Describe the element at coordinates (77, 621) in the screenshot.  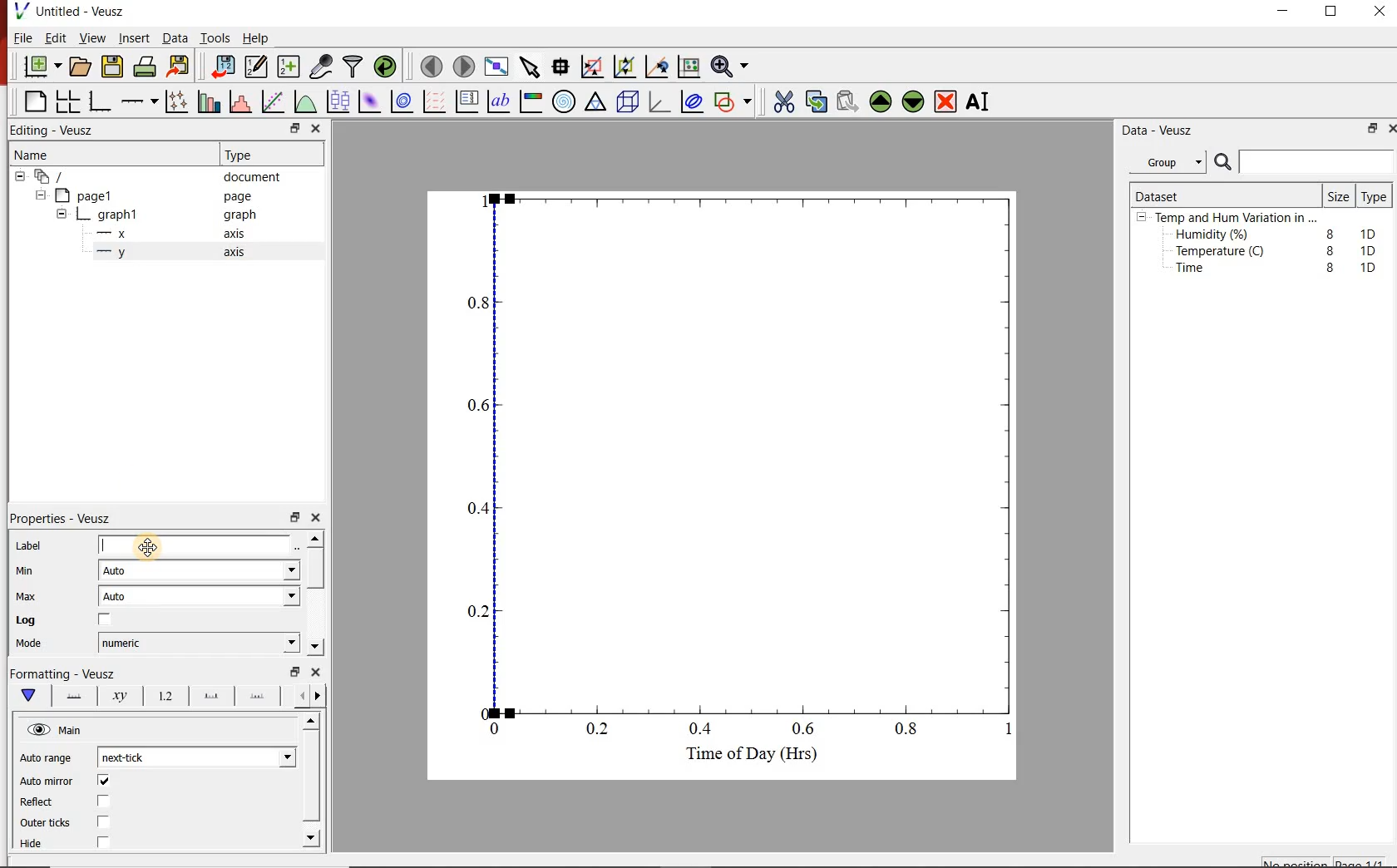
I see `Log` at that location.